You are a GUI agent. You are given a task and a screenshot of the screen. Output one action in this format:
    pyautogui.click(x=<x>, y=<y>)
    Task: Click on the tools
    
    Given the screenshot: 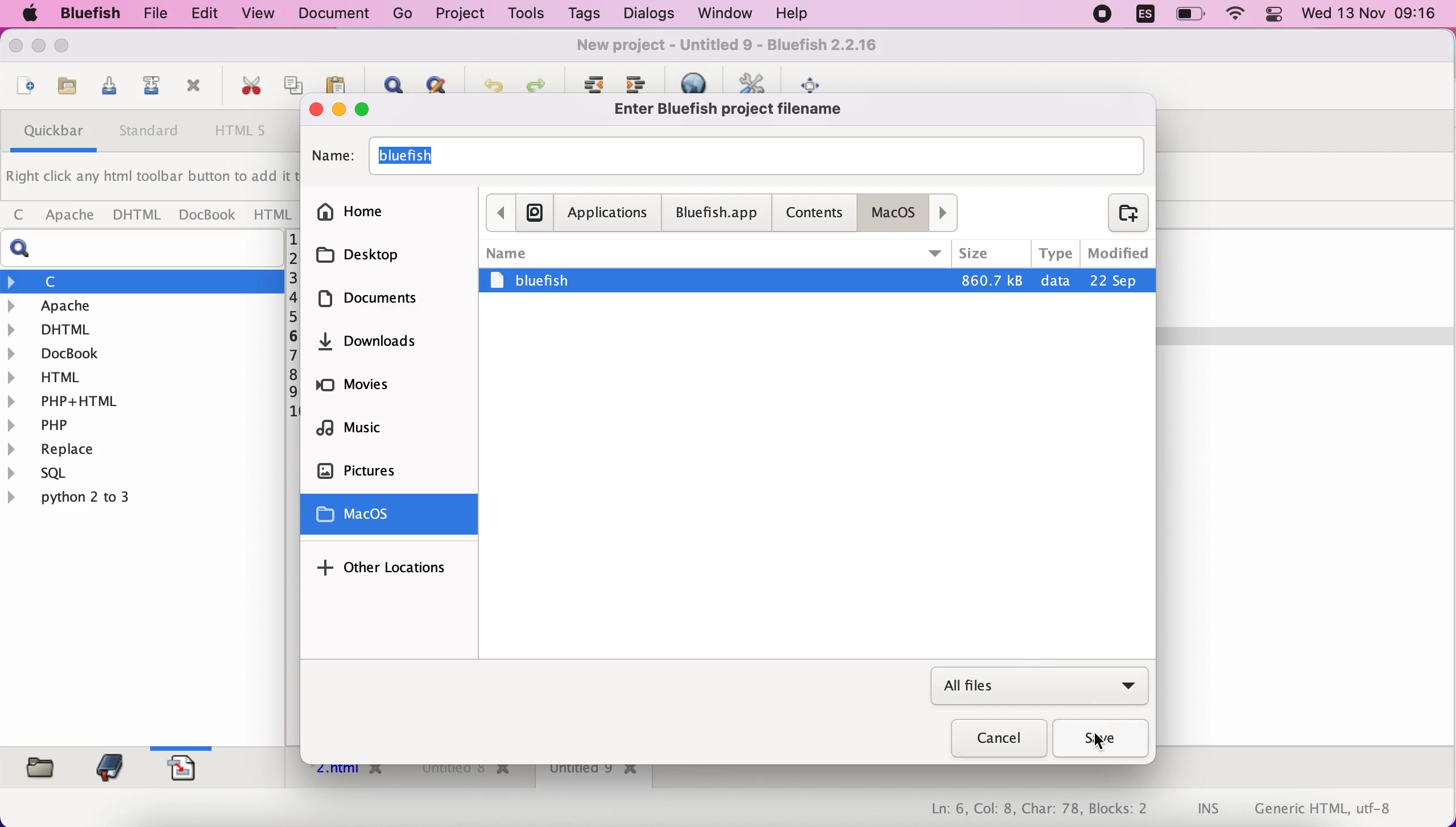 What is the action you would take?
    pyautogui.click(x=523, y=15)
    